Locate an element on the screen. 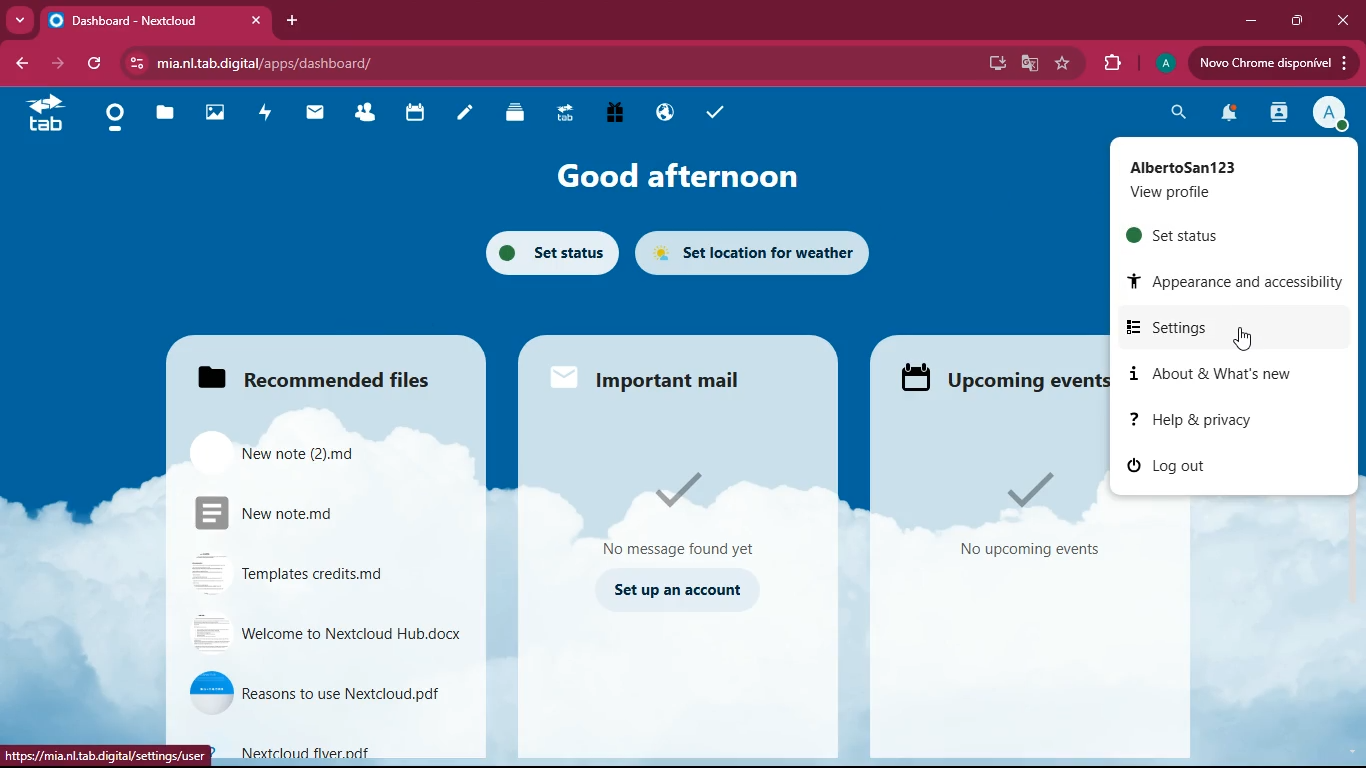  files is located at coordinates (171, 112).